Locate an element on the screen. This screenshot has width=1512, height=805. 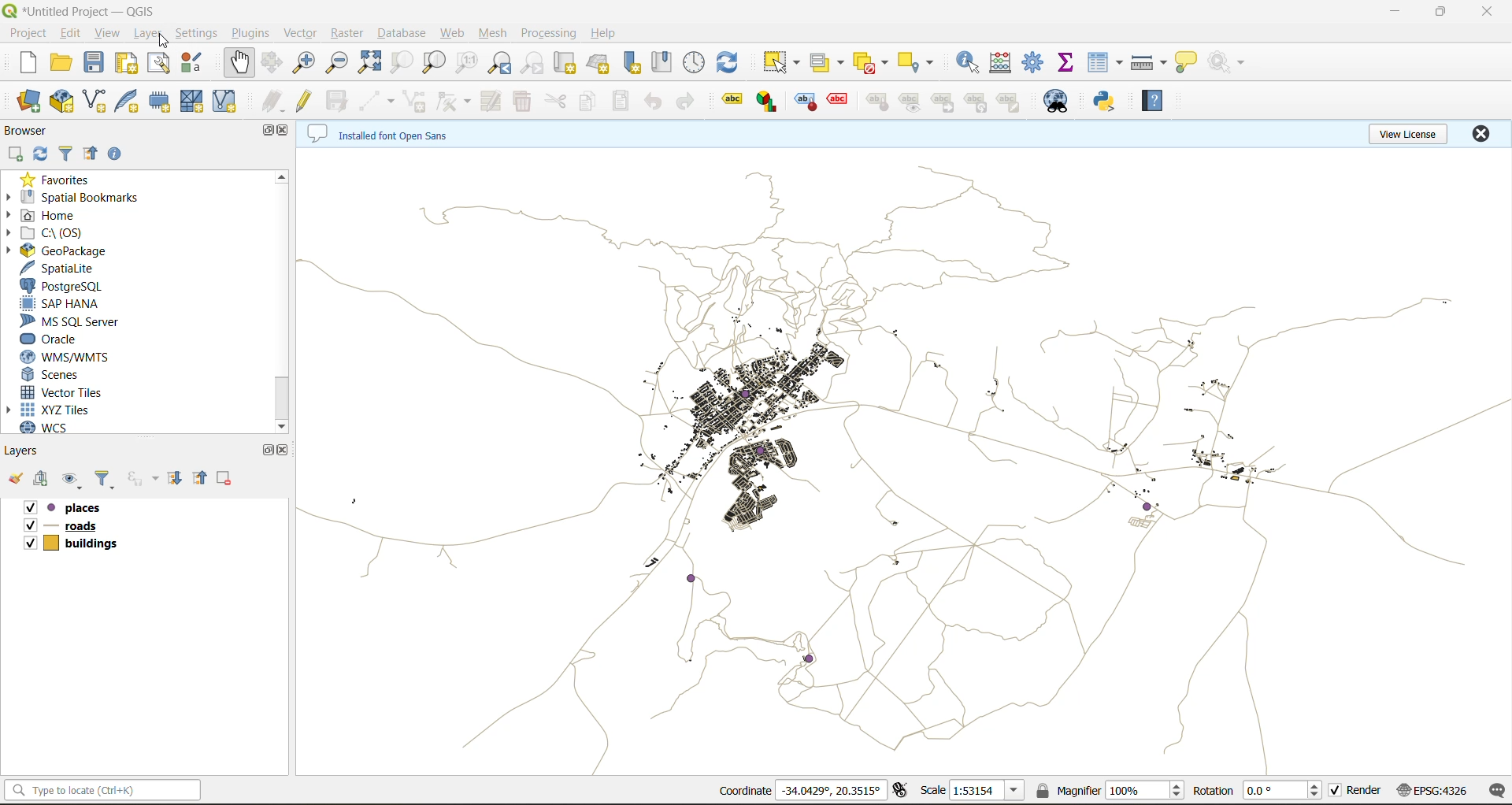
vertex tools is located at coordinates (457, 102).